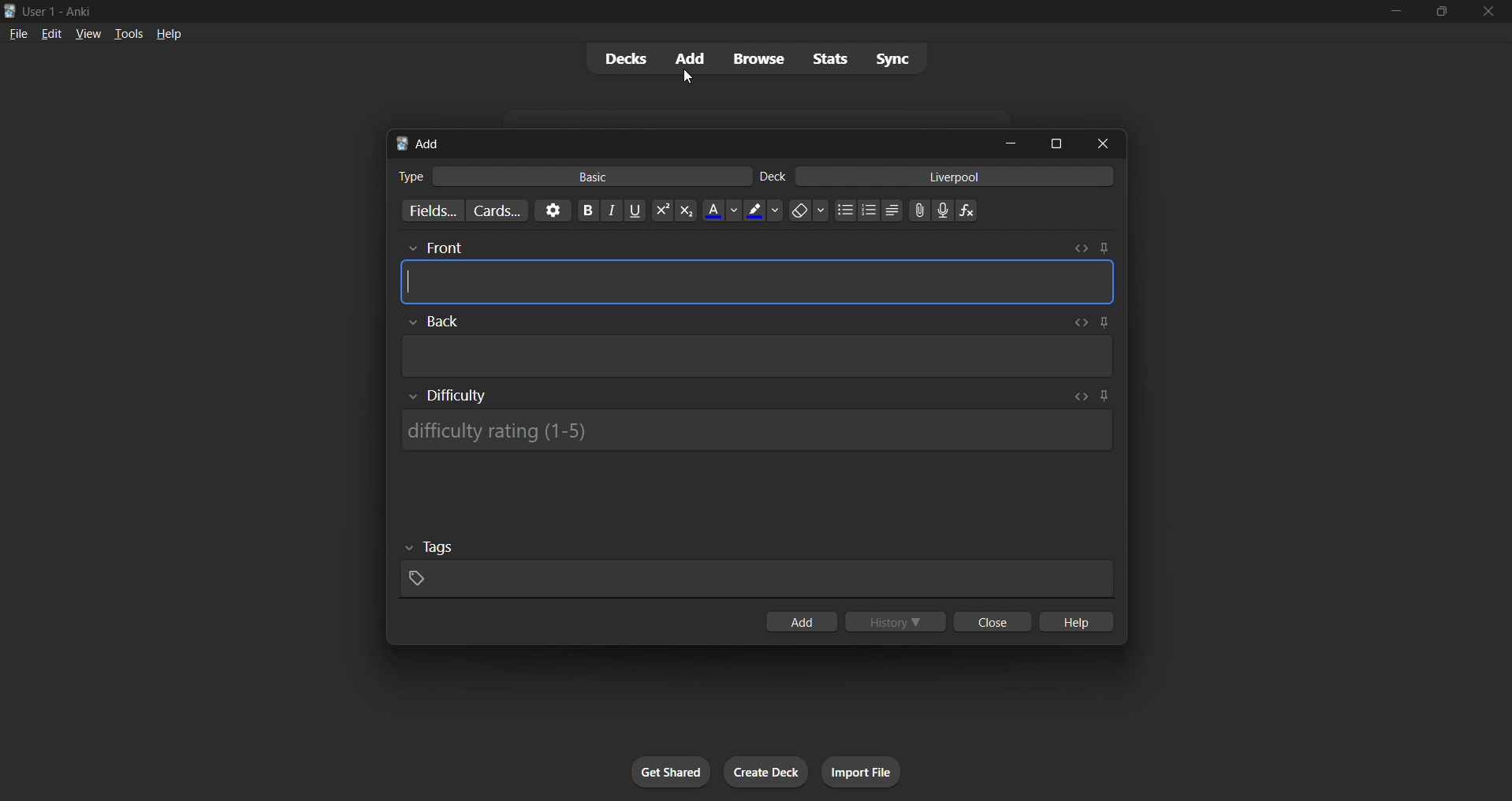  Describe the element at coordinates (87, 33) in the screenshot. I see `view` at that location.